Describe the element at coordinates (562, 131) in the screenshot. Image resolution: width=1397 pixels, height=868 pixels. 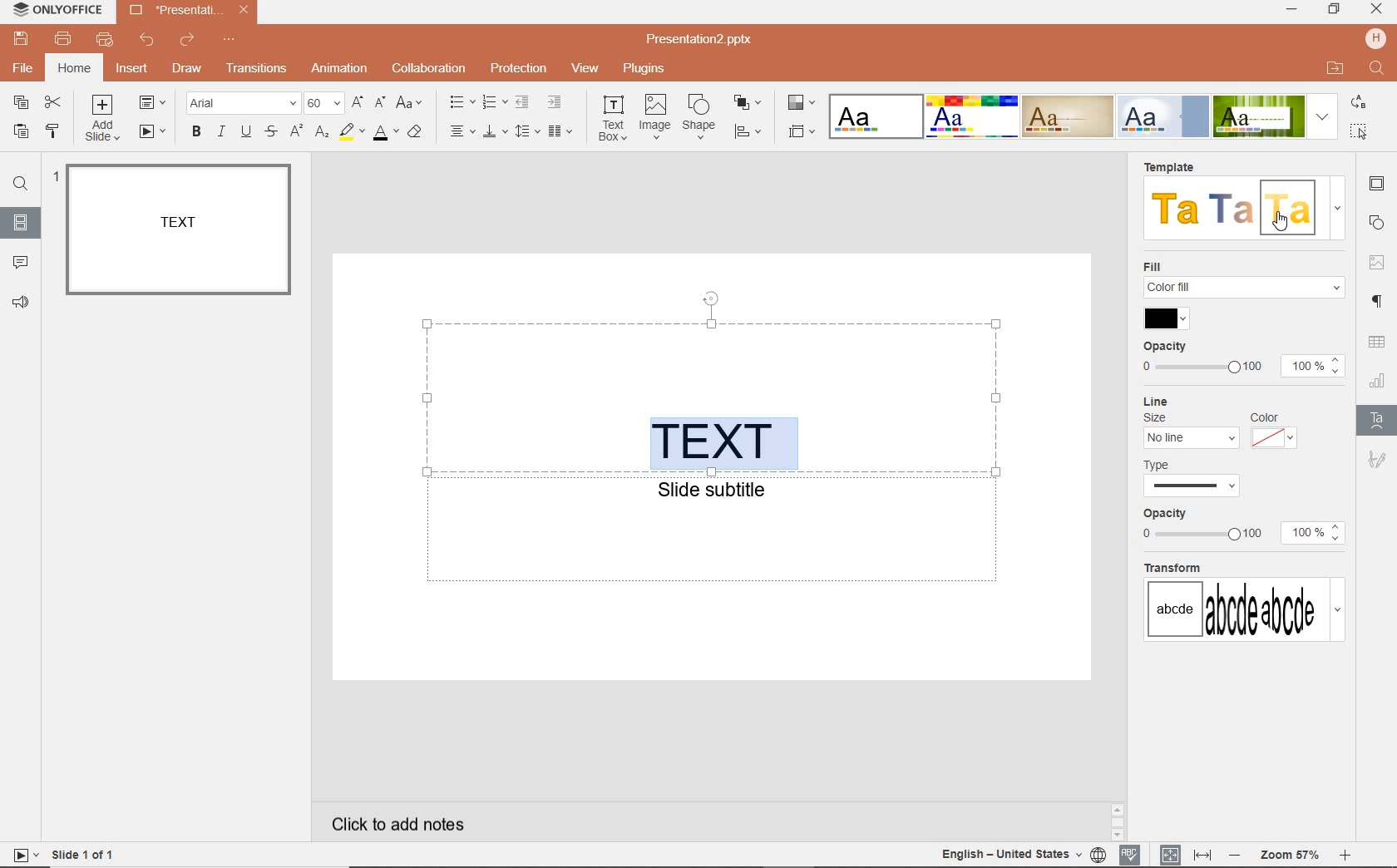
I see `insert columns` at that location.